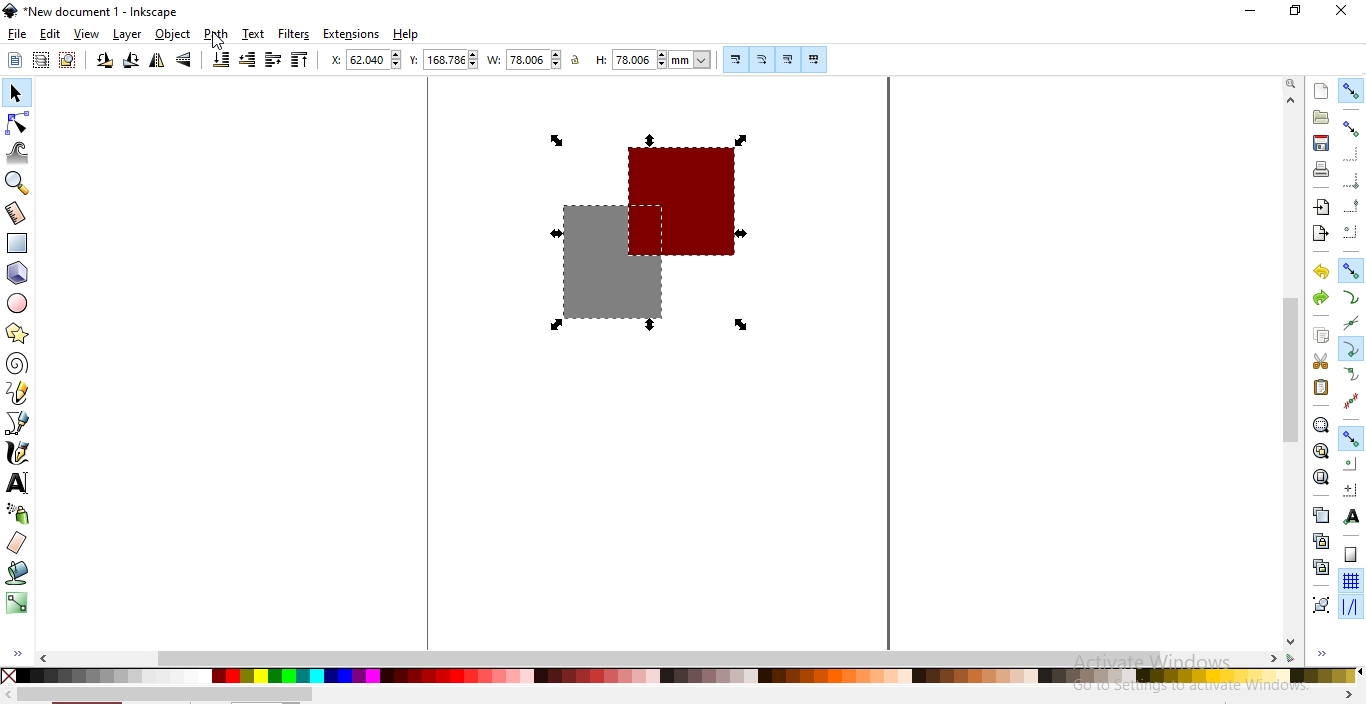 The width and height of the screenshot is (1366, 704). I want to click on edit, so click(49, 34).